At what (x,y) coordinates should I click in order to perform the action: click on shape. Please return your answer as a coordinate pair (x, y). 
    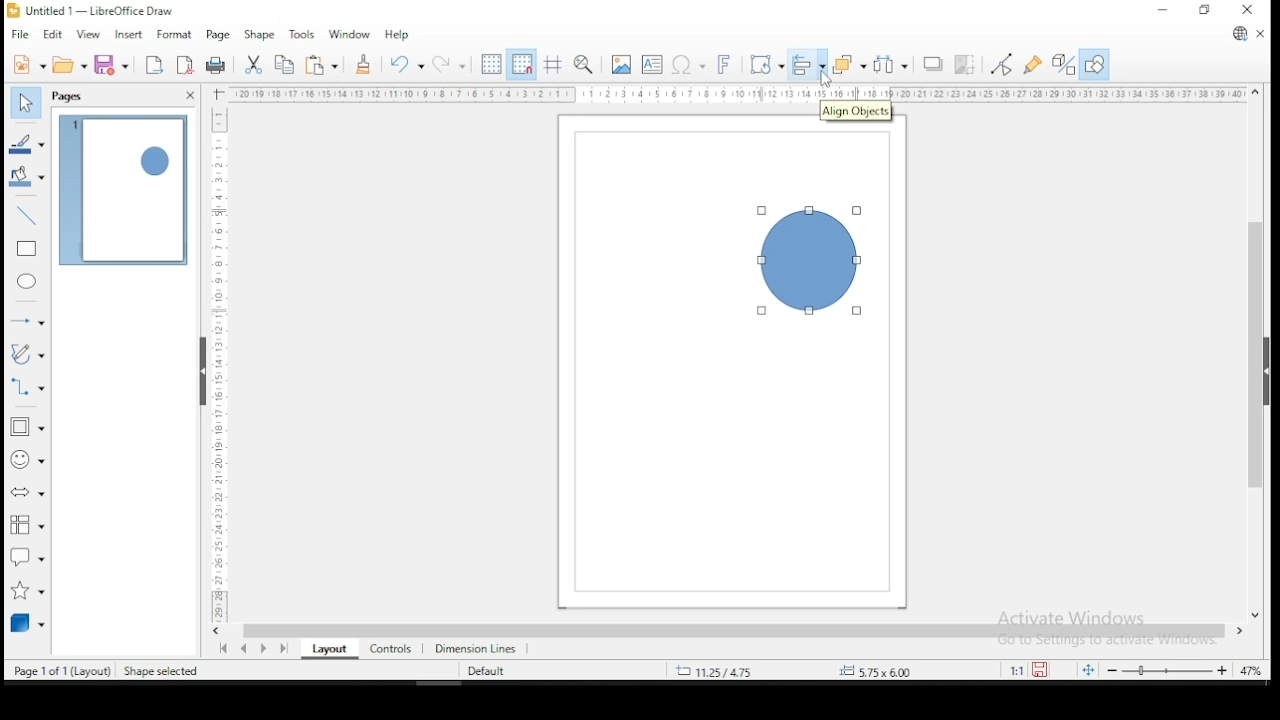
    Looking at the image, I should click on (258, 36).